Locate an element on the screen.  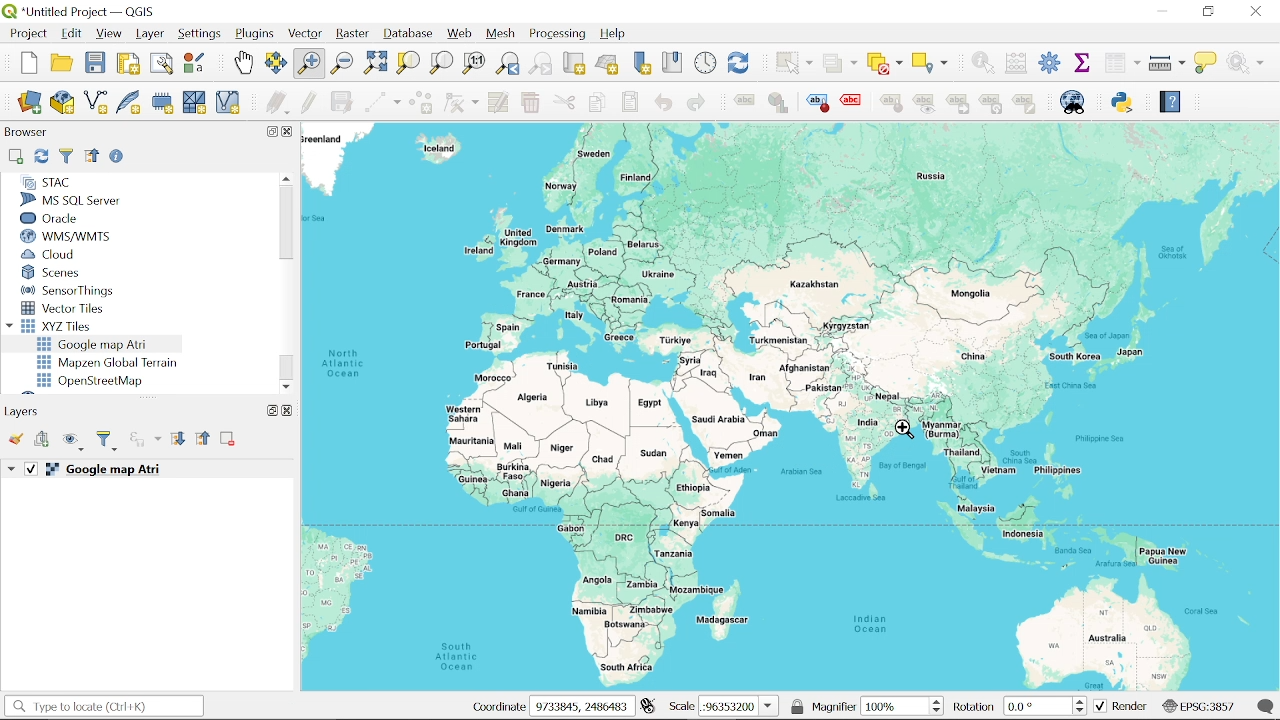
Zoom to last is located at coordinates (507, 65).